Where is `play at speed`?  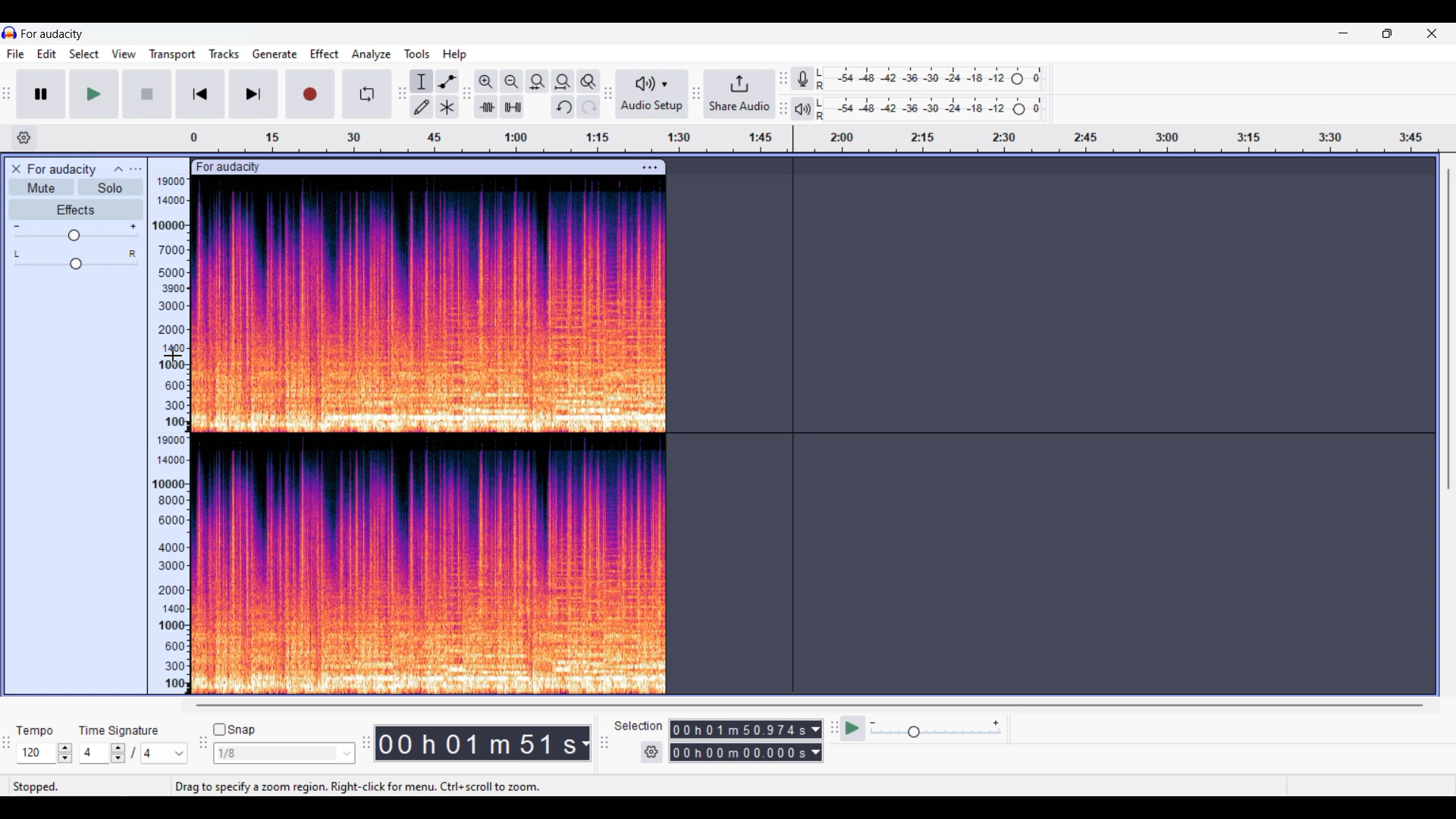 play at speed is located at coordinates (853, 728).